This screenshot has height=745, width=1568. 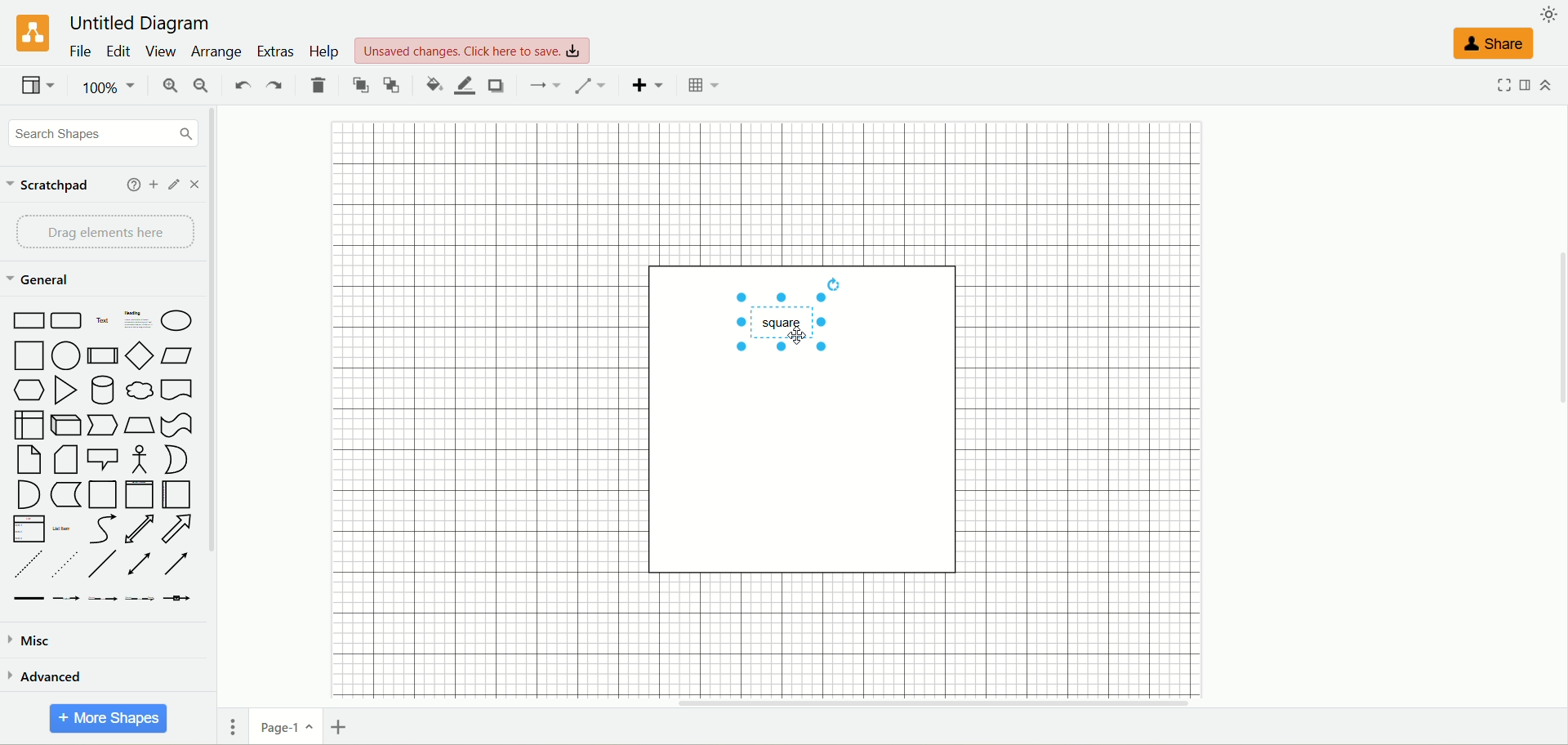 I want to click on delete, so click(x=319, y=85).